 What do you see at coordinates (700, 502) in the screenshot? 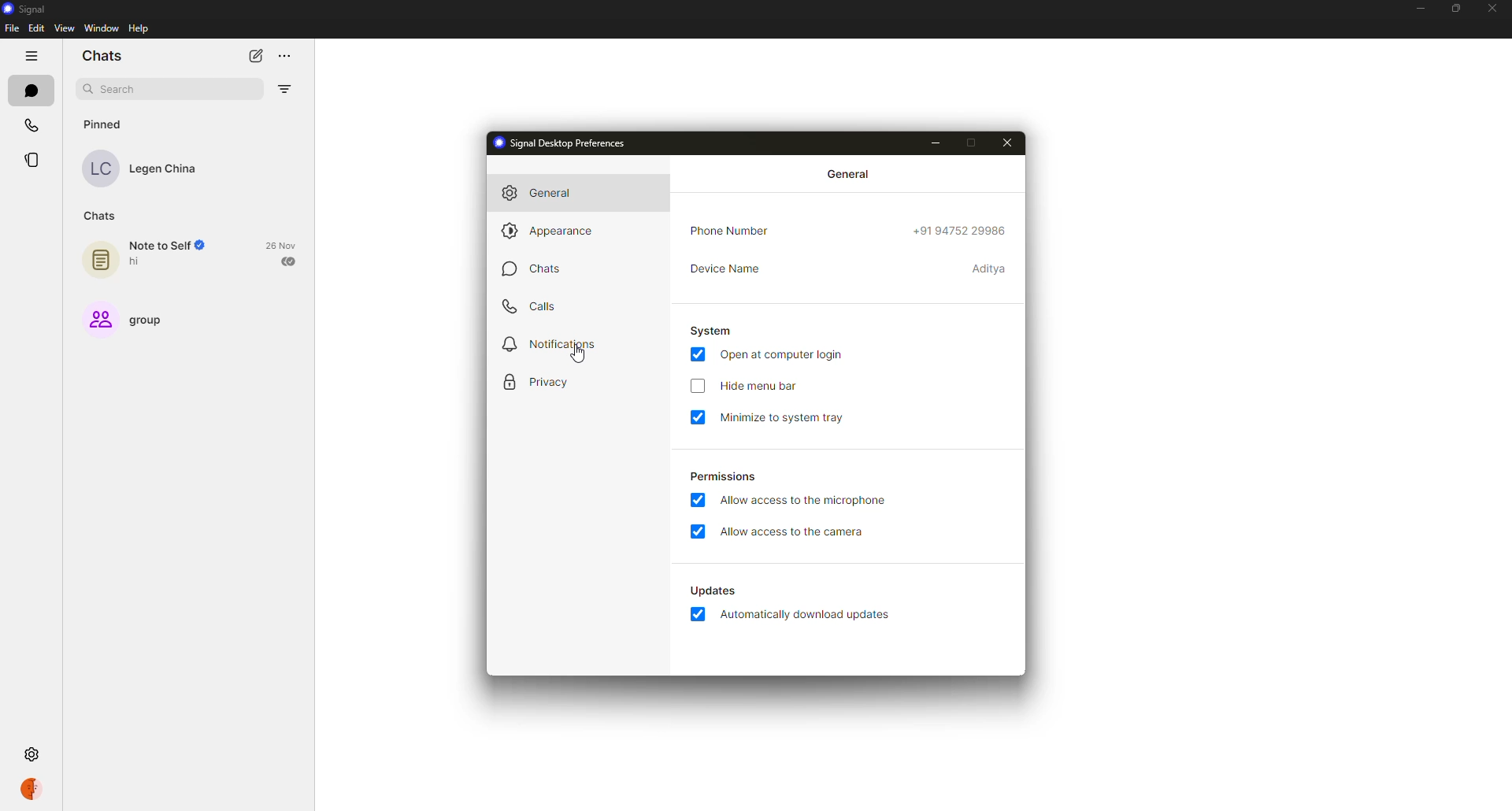
I see `enabled` at bounding box center [700, 502].